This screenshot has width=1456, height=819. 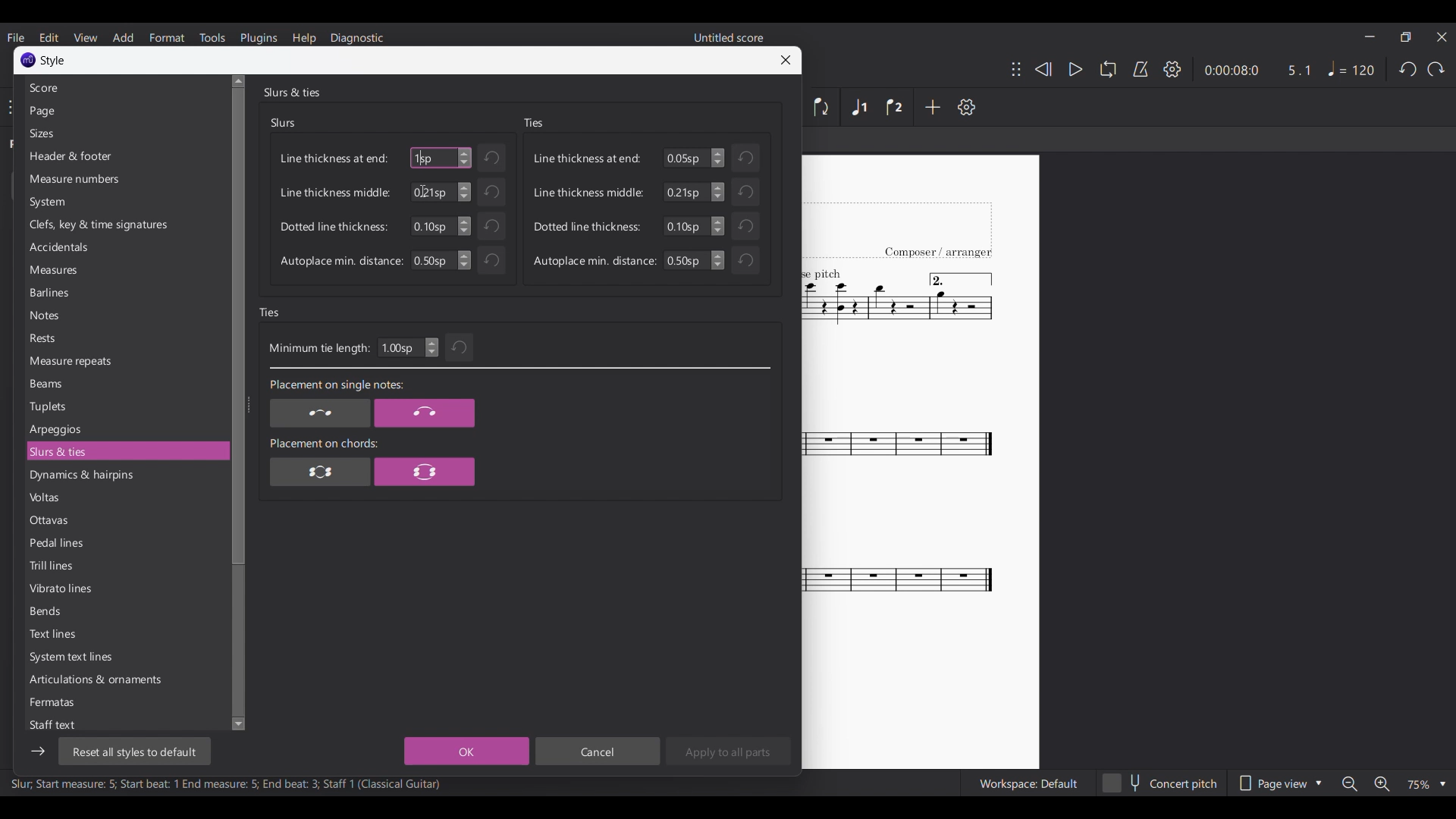 I want to click on Dotted line thickness, so click(x=334, y=227).